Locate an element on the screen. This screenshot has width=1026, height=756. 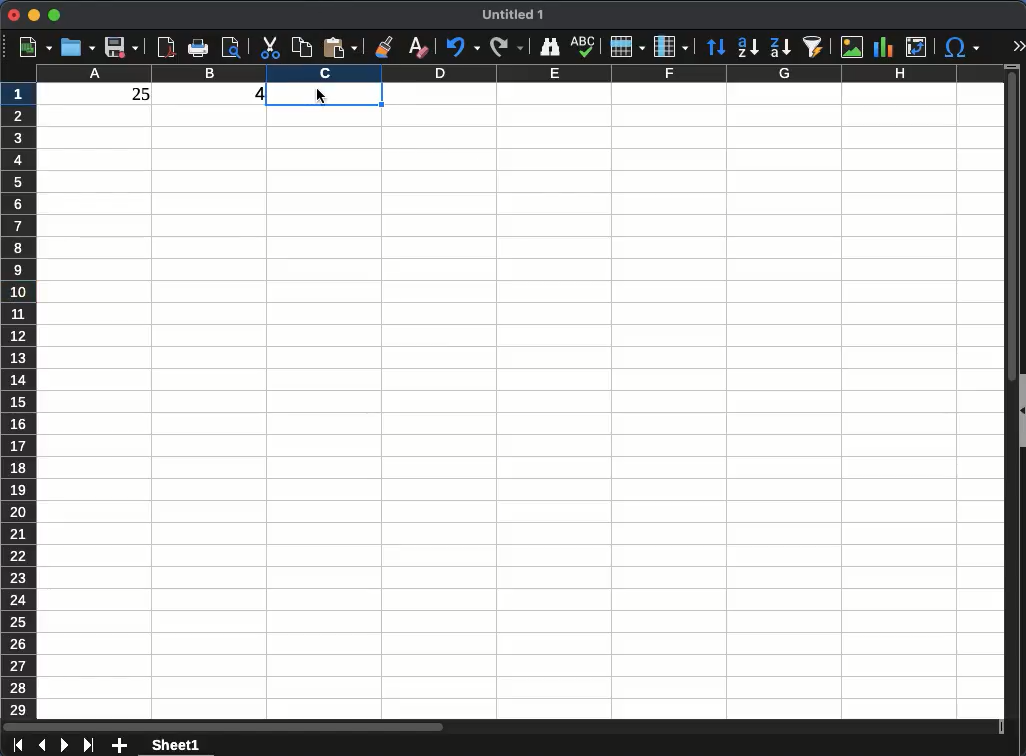
cut is located at coordinates (269, 49).